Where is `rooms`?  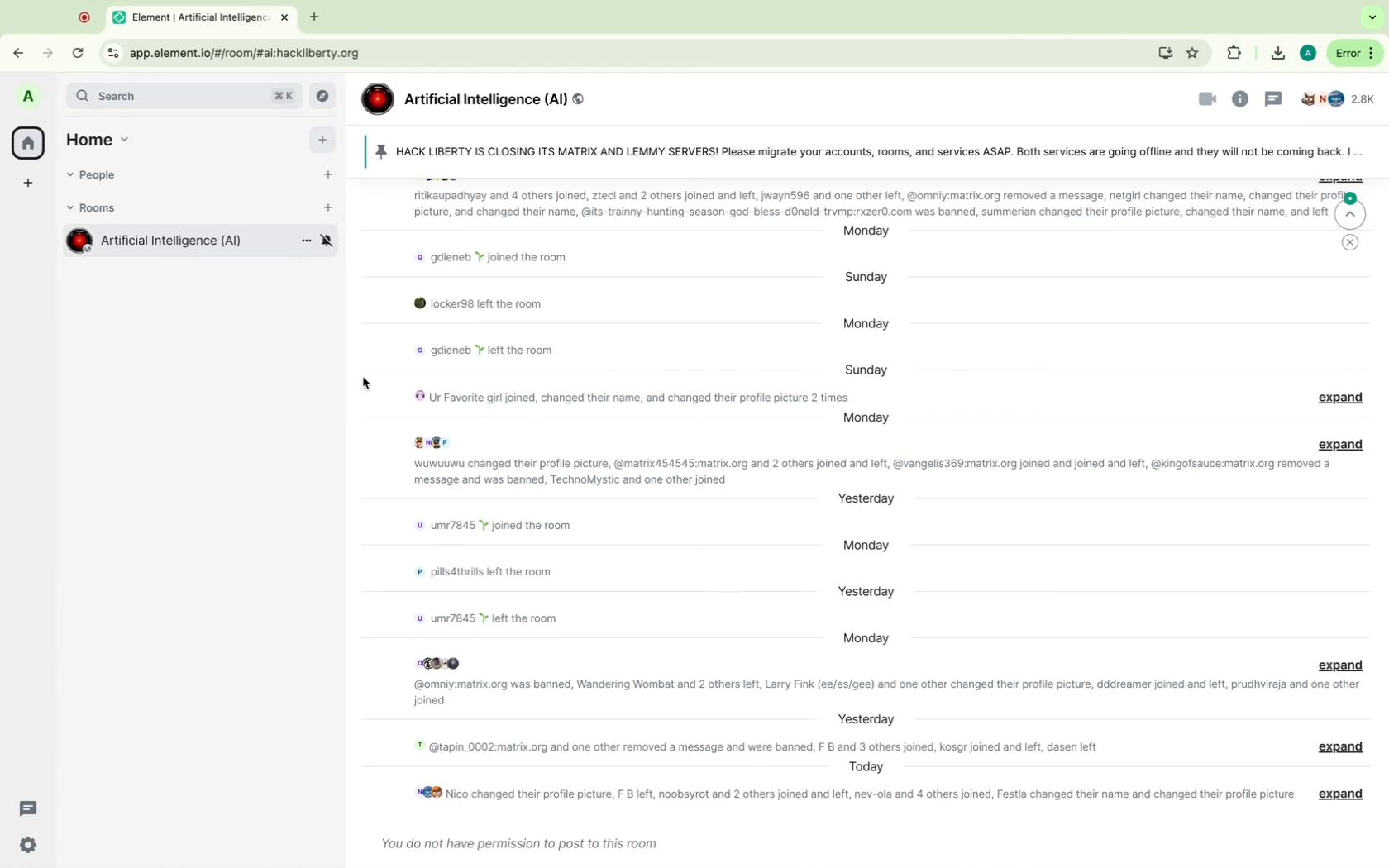 rooms is located at coordinates (107, 209).